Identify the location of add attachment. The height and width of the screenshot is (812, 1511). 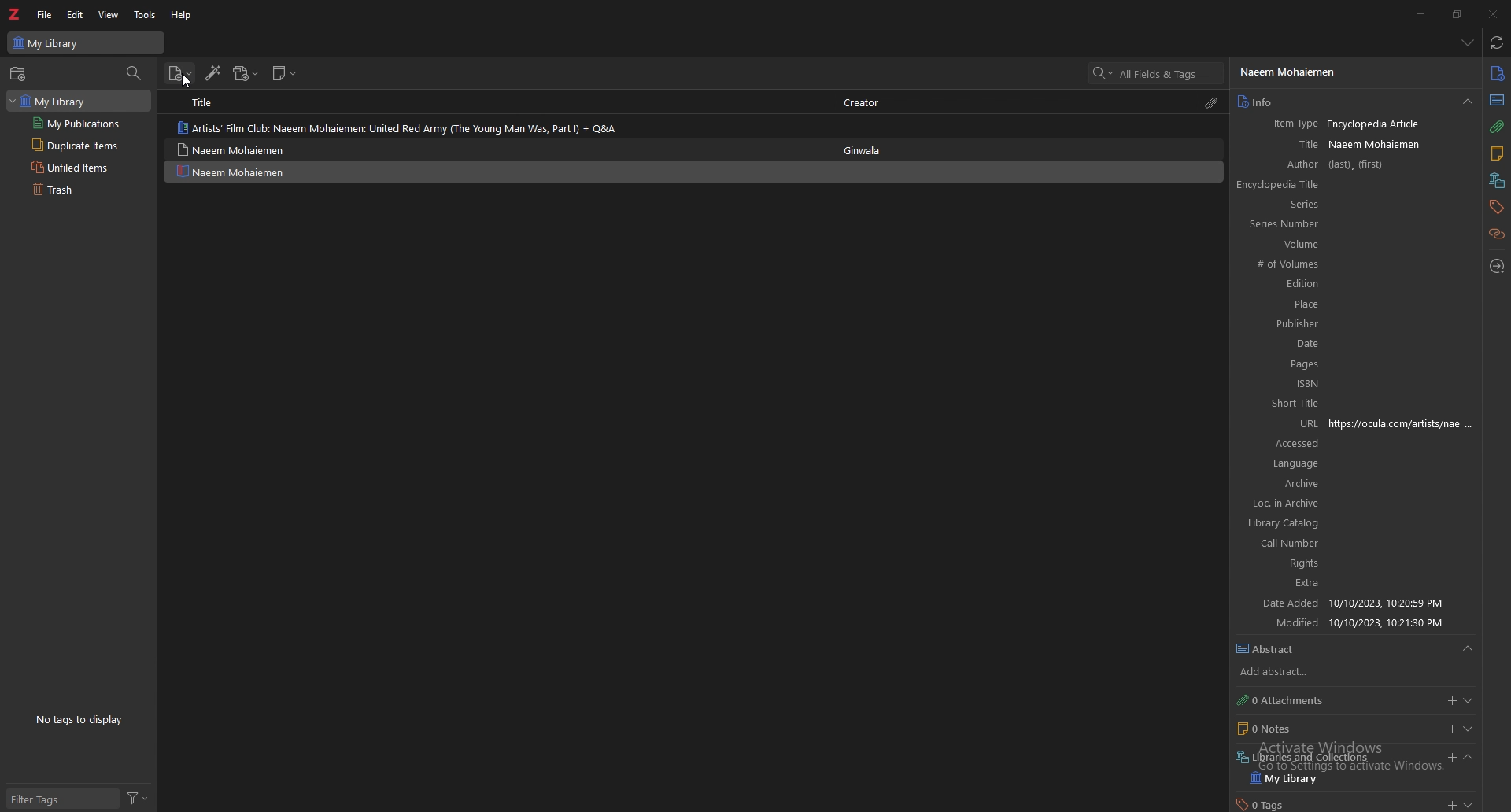
(246, 73).